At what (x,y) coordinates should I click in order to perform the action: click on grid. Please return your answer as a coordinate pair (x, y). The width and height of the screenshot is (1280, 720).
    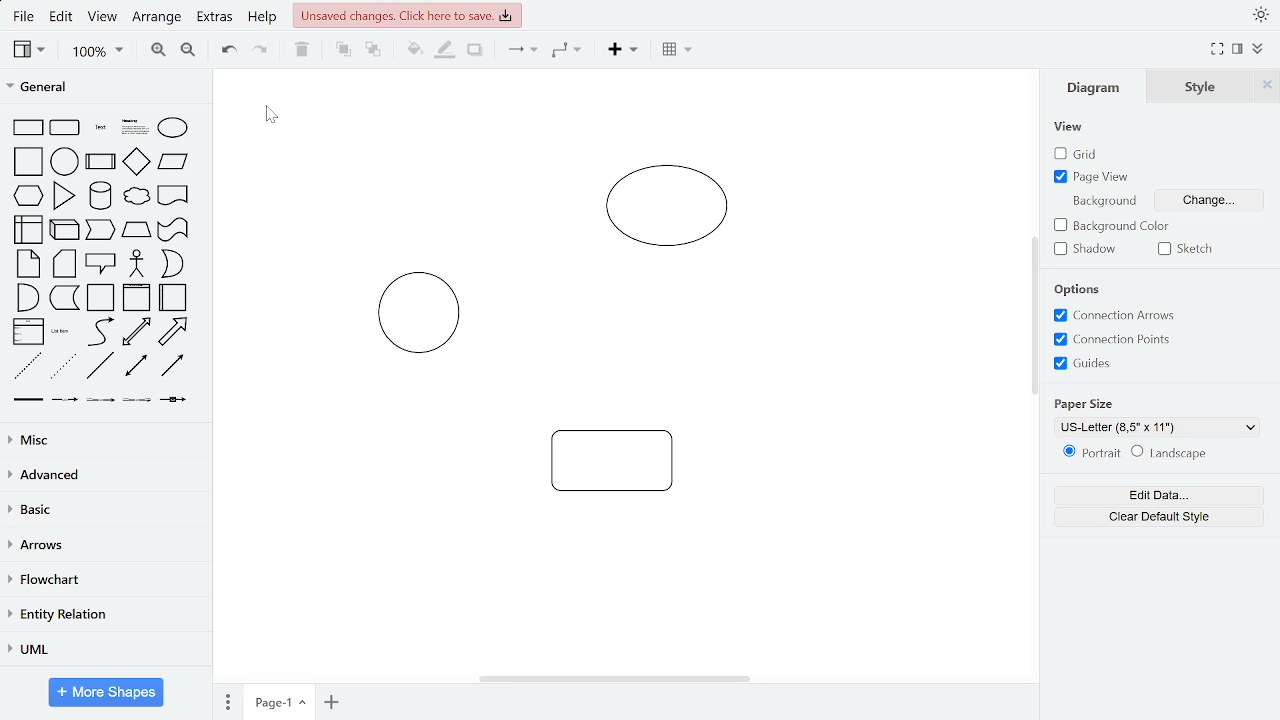
    Looking at the image, I should click on (1078, 154).